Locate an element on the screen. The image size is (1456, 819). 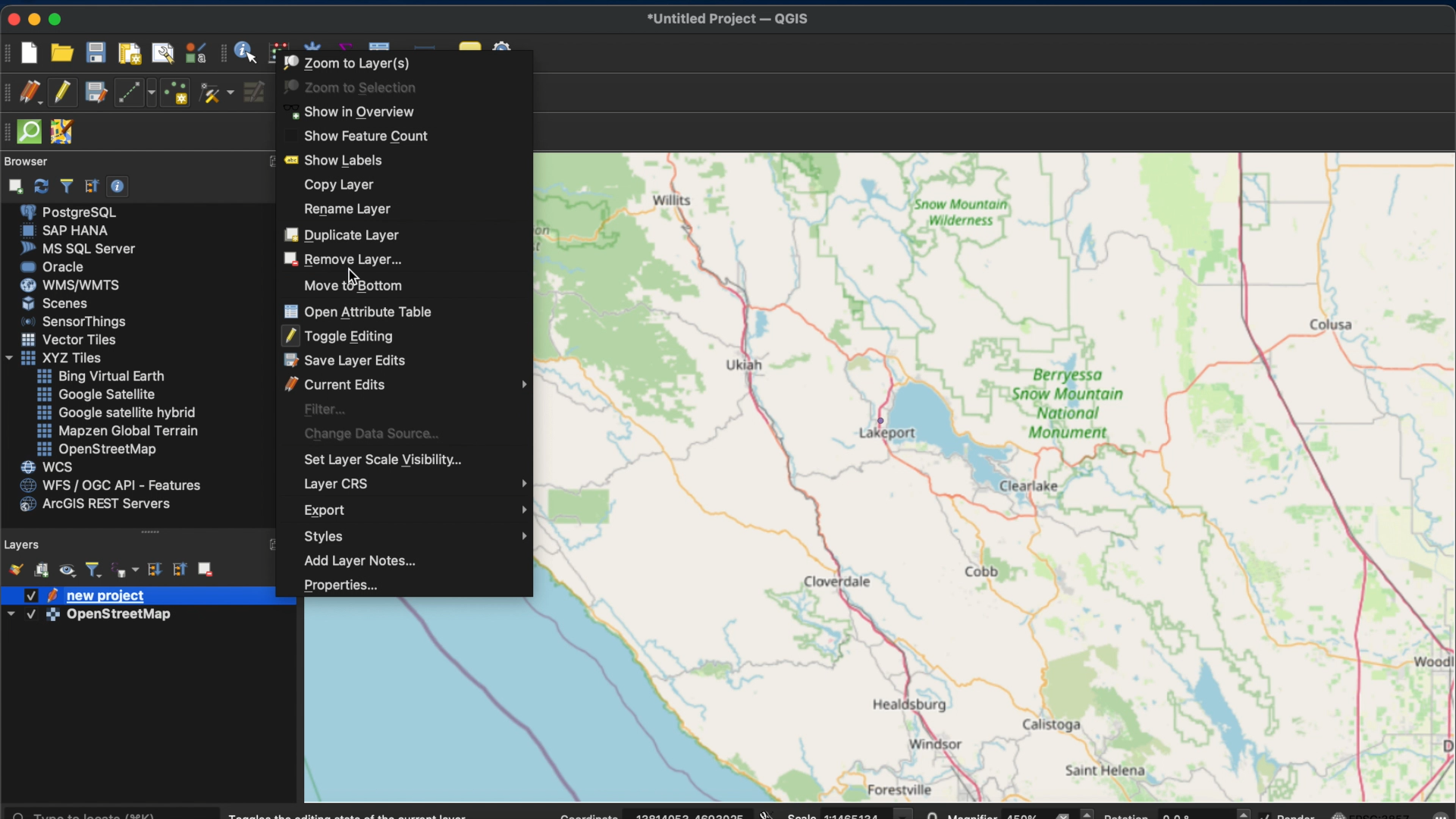
current edits is located at coordinates (406, 384).